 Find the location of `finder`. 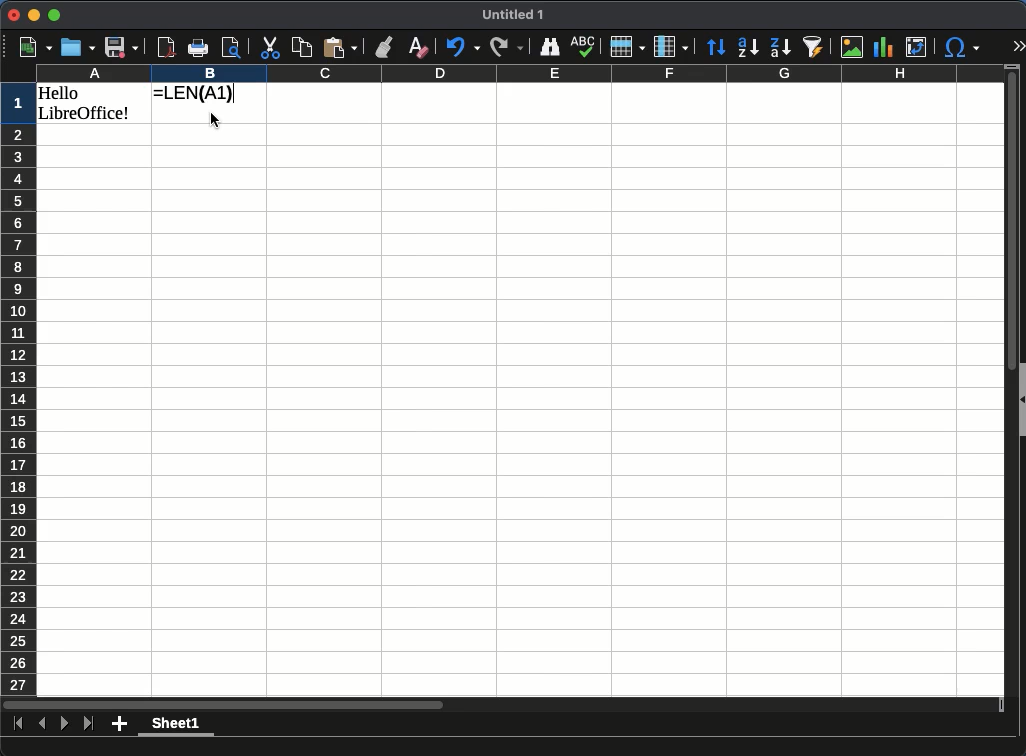

finder is located at coordinates (550, 47).